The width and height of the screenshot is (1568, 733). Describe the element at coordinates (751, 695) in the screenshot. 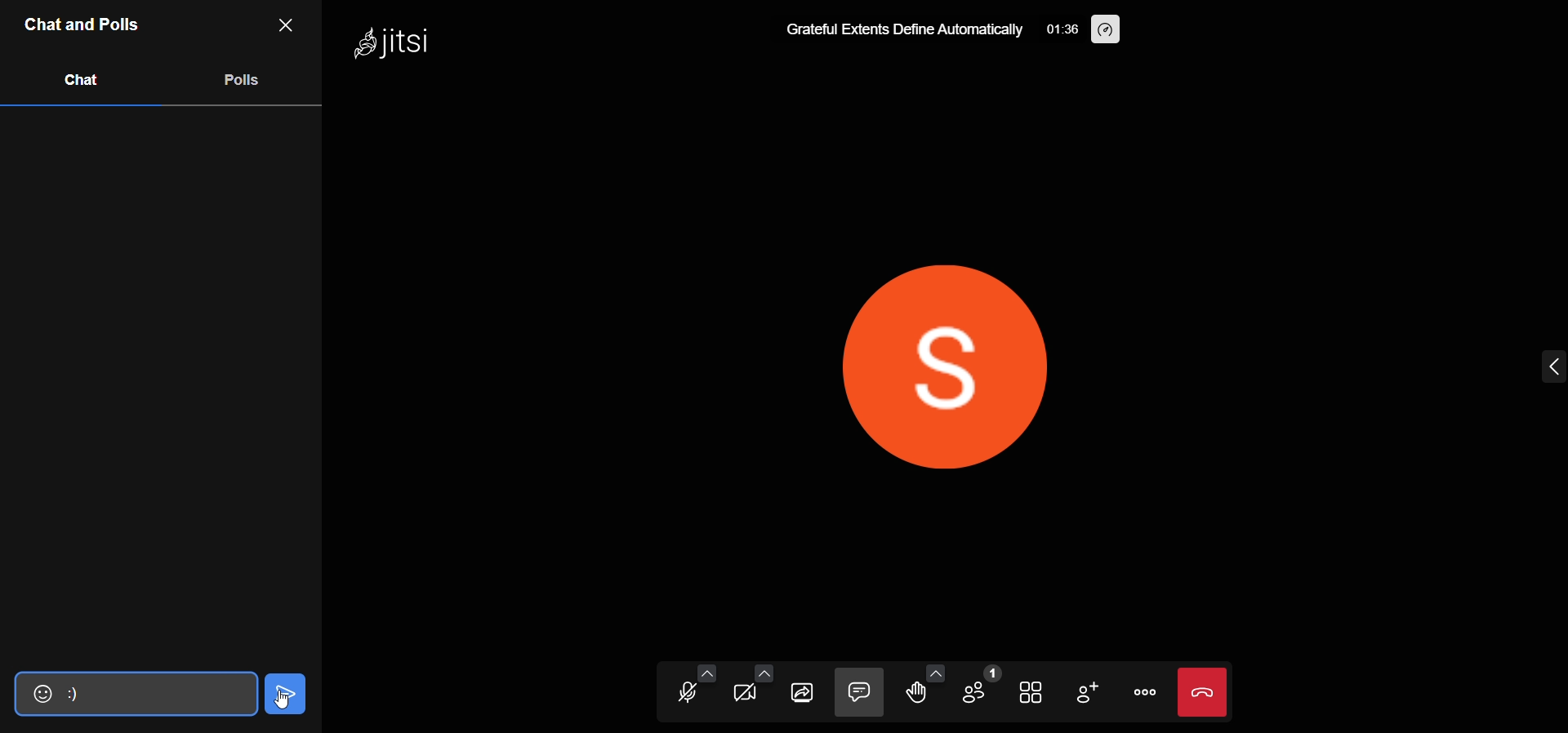

I see `video` at that location.